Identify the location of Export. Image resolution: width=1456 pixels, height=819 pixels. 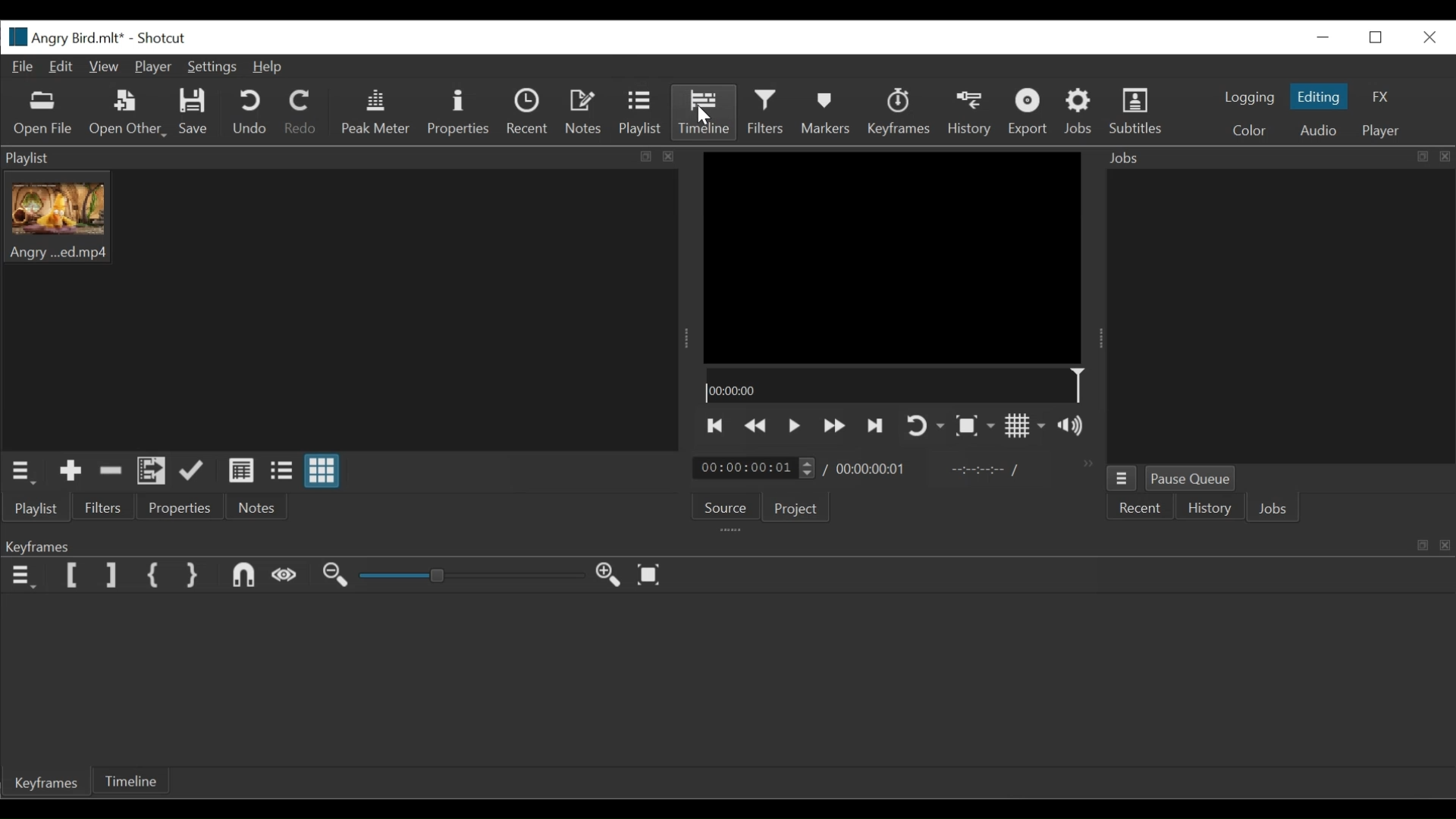
(1029, 114).